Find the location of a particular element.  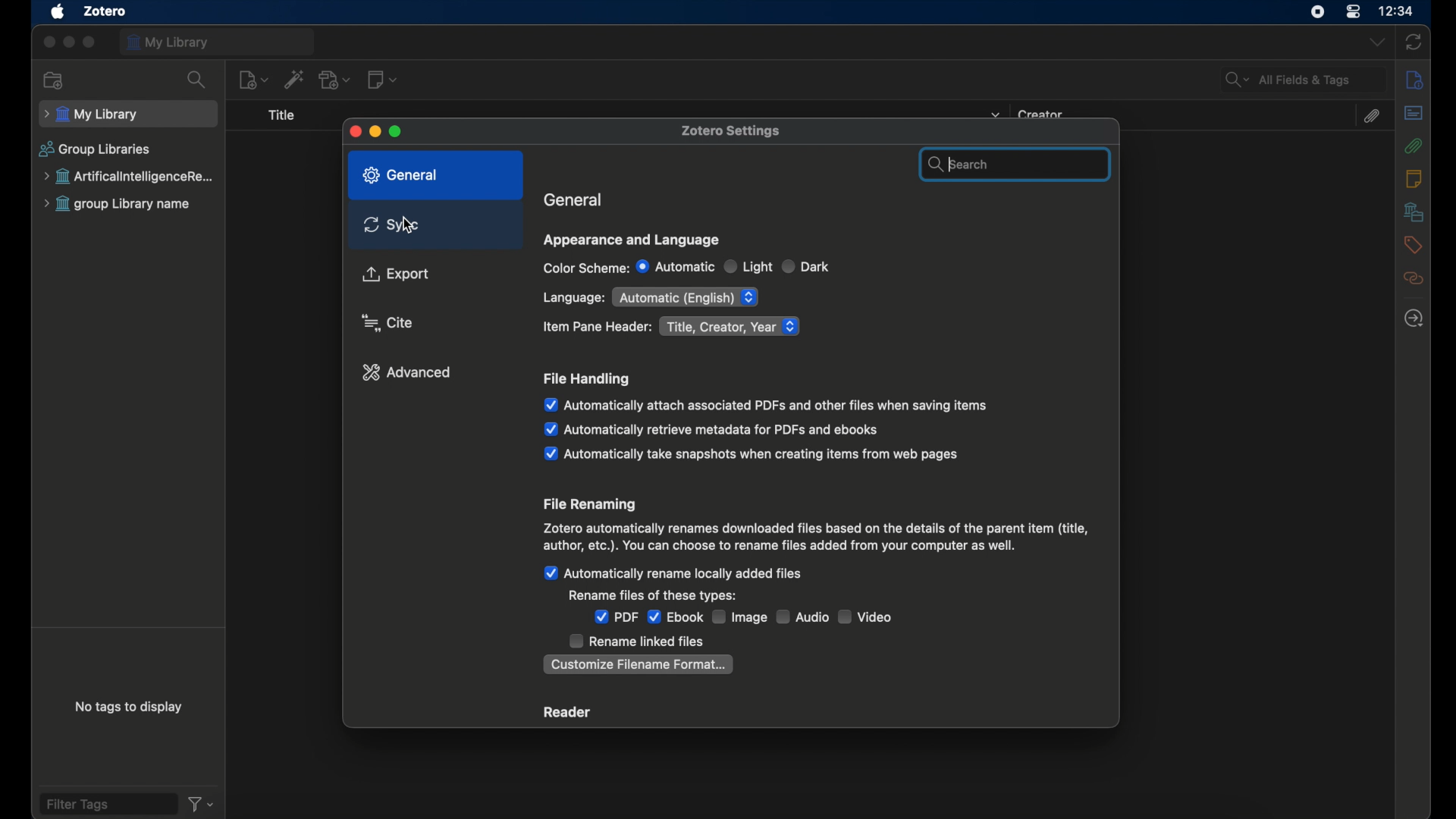

group library is located at coordinates (118, 205).